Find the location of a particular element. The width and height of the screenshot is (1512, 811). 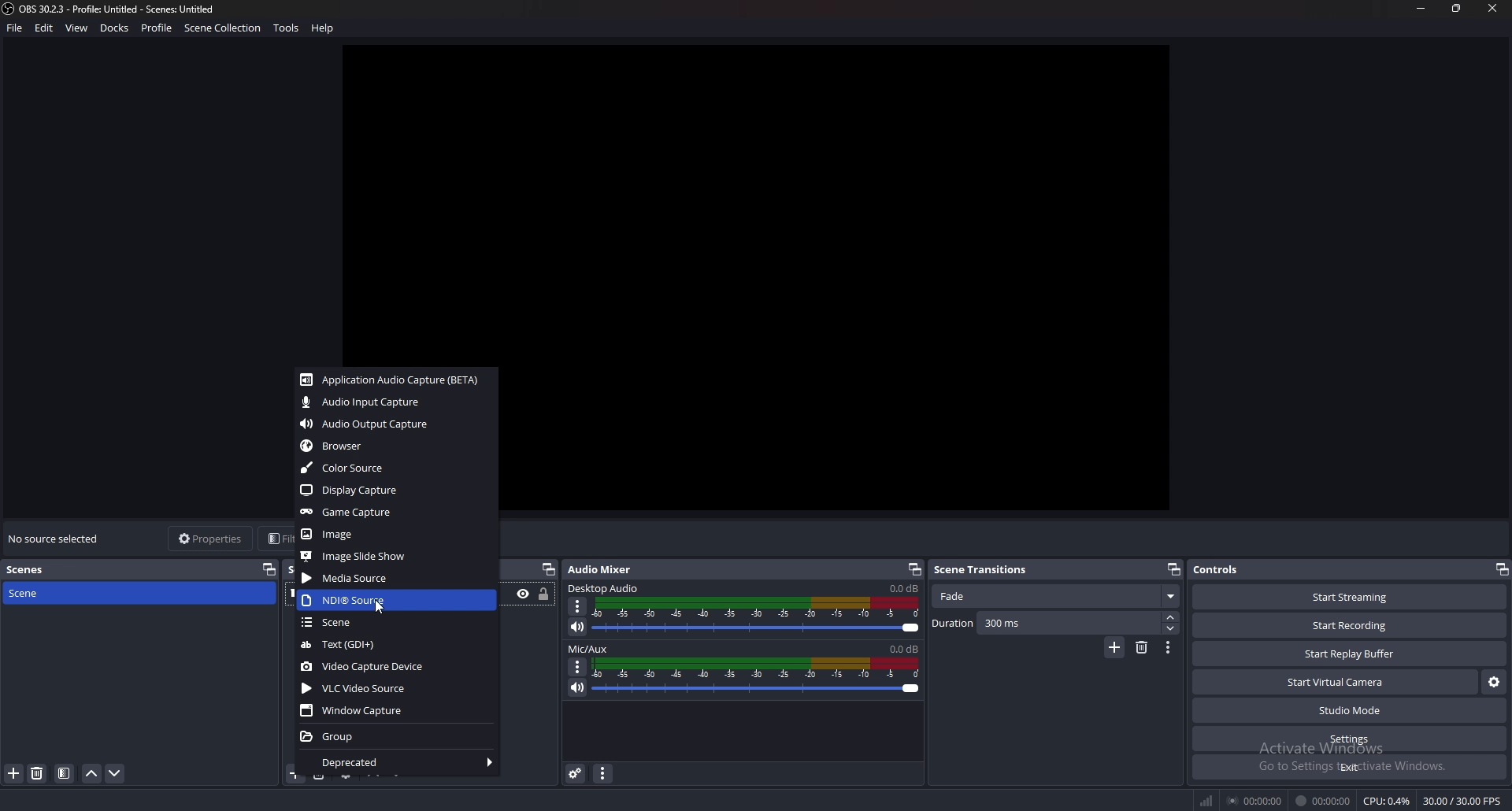

app audio capture is located at coordinates (391, 380).